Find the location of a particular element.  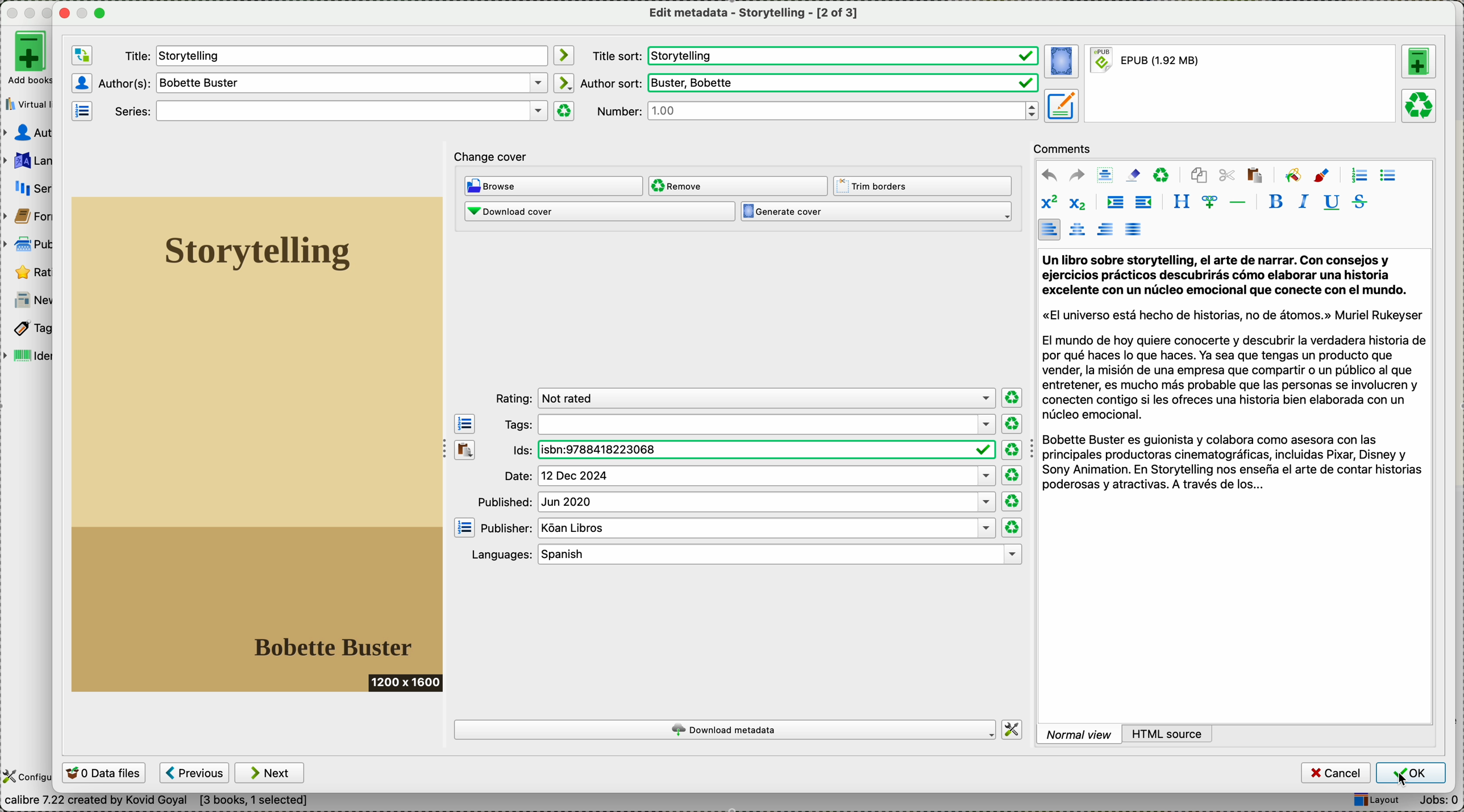

paste is located at coordinates (1255, 177).